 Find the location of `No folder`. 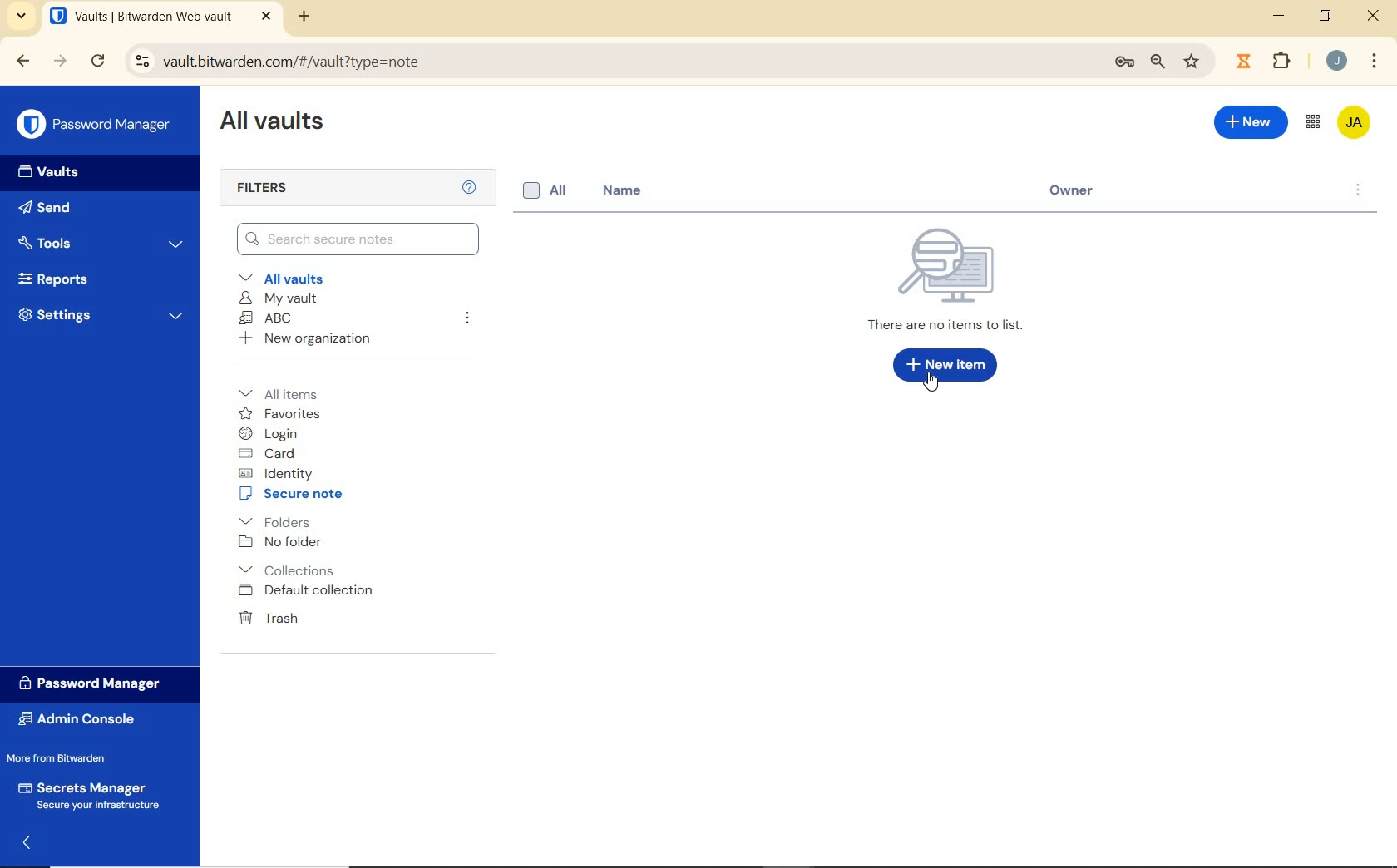

No folder is located at coordinates (280, 542).